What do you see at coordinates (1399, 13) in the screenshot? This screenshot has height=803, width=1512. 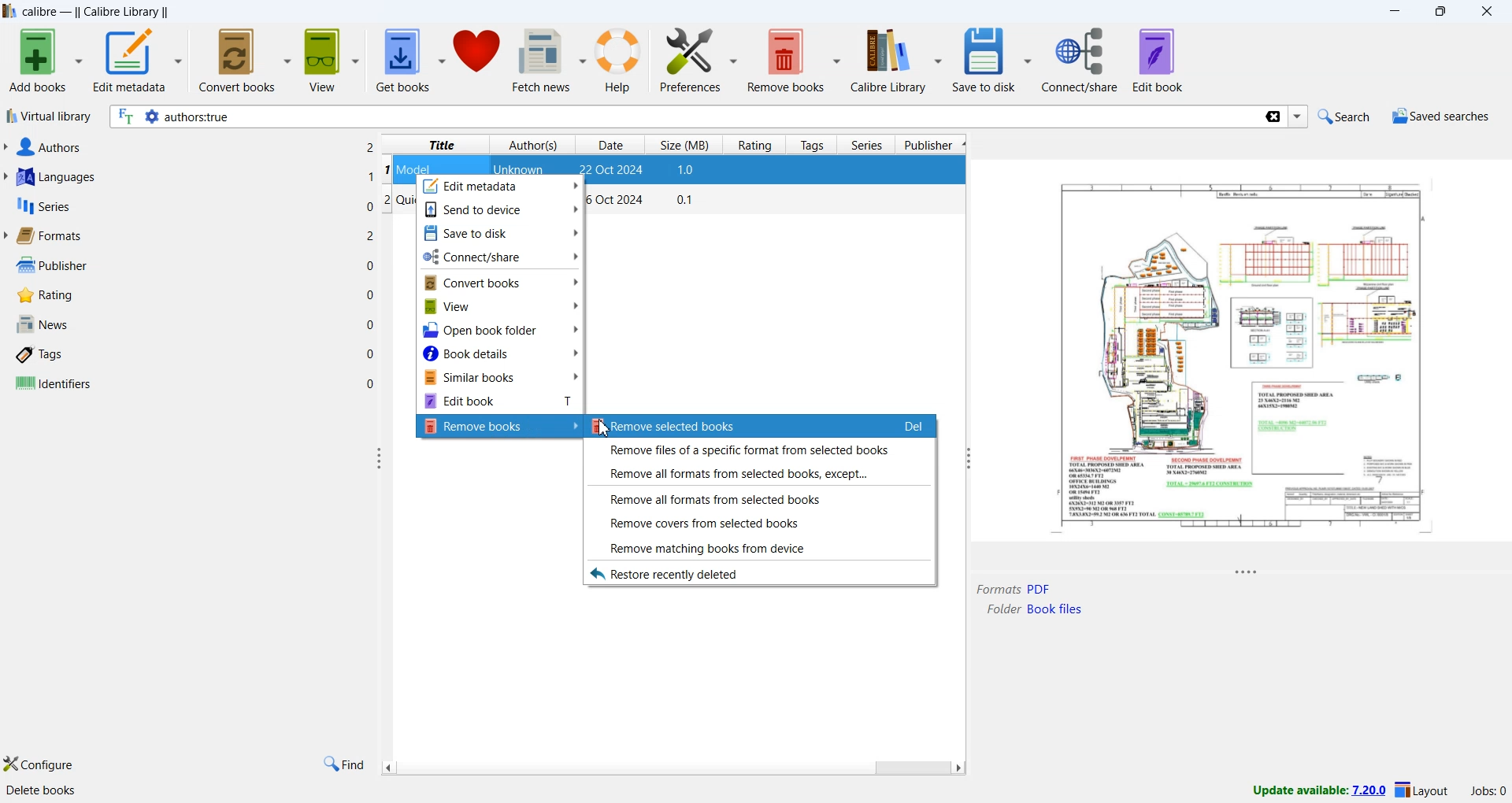 I see `minimize` at bounding box center [1399, 13].